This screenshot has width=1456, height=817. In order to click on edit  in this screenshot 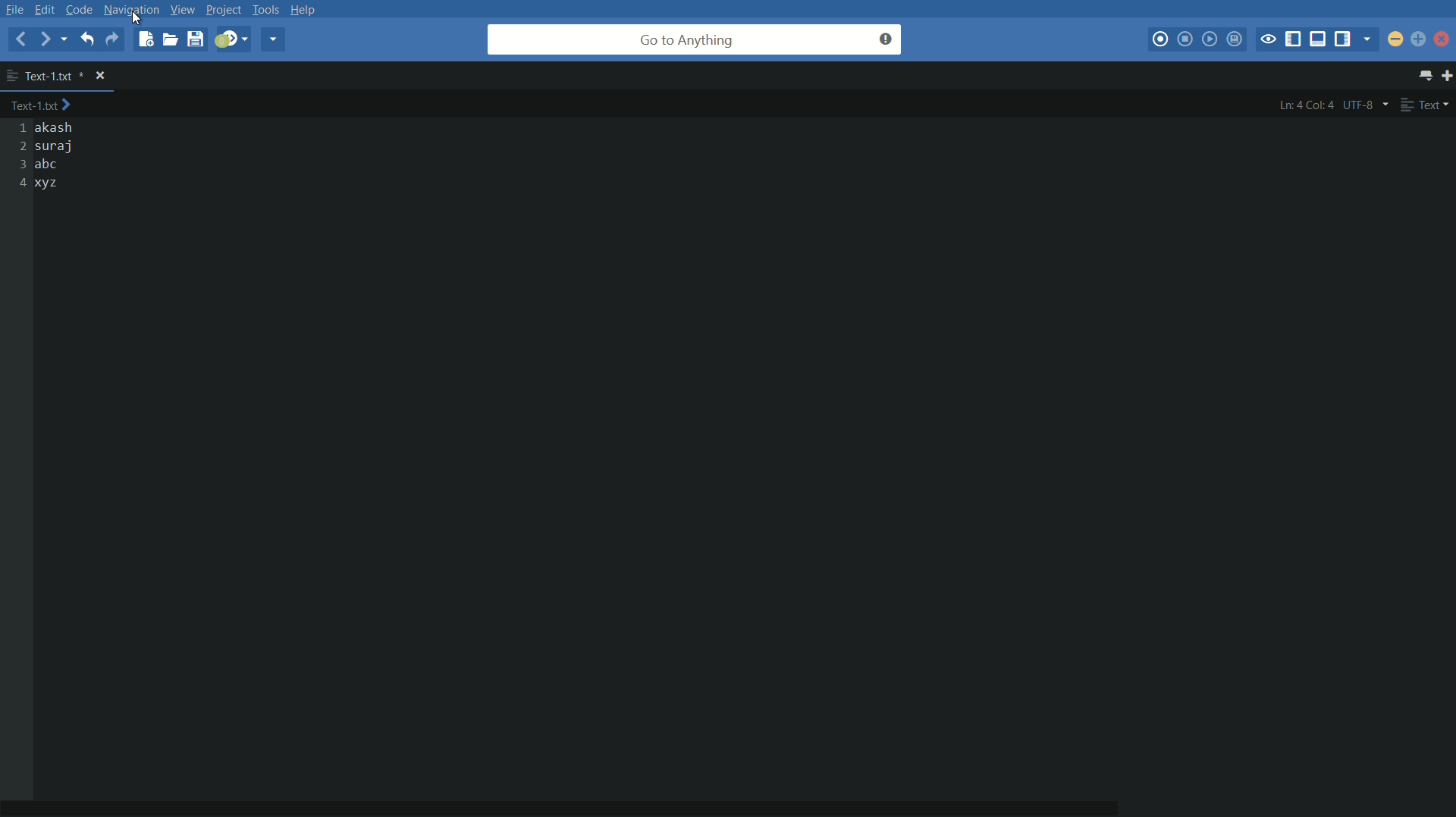, I will do `click(48, 9)`.